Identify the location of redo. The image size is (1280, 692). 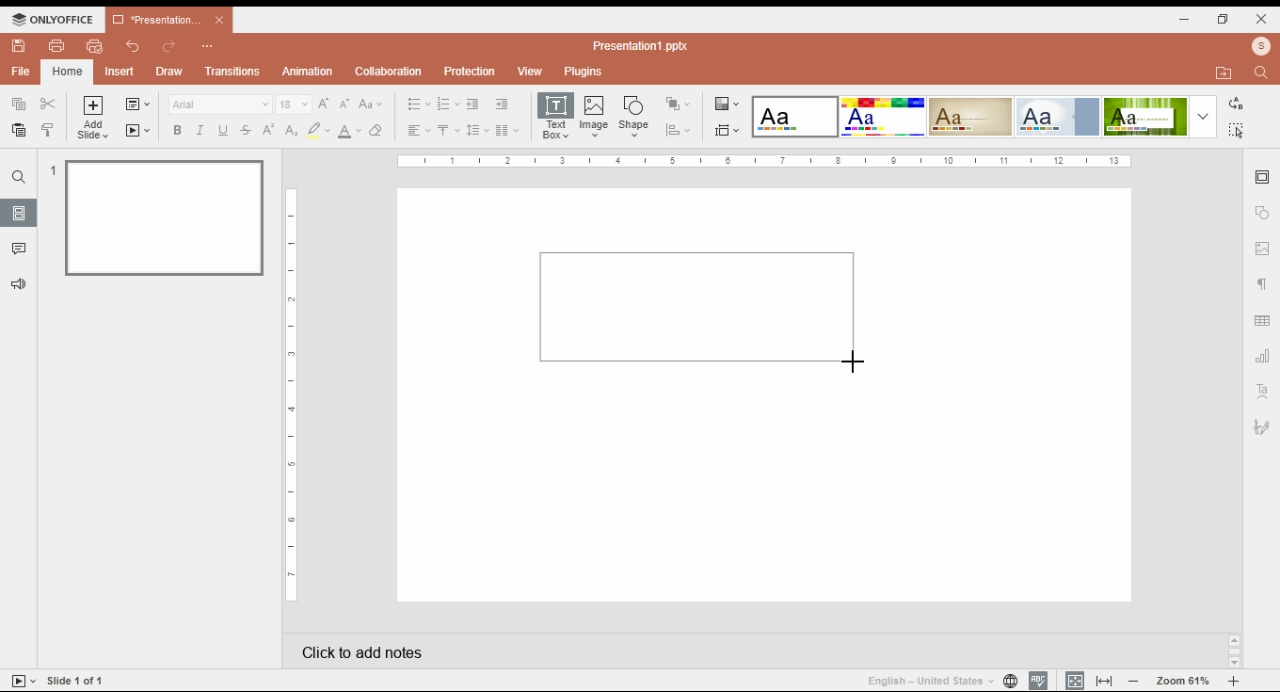
(168, 48).